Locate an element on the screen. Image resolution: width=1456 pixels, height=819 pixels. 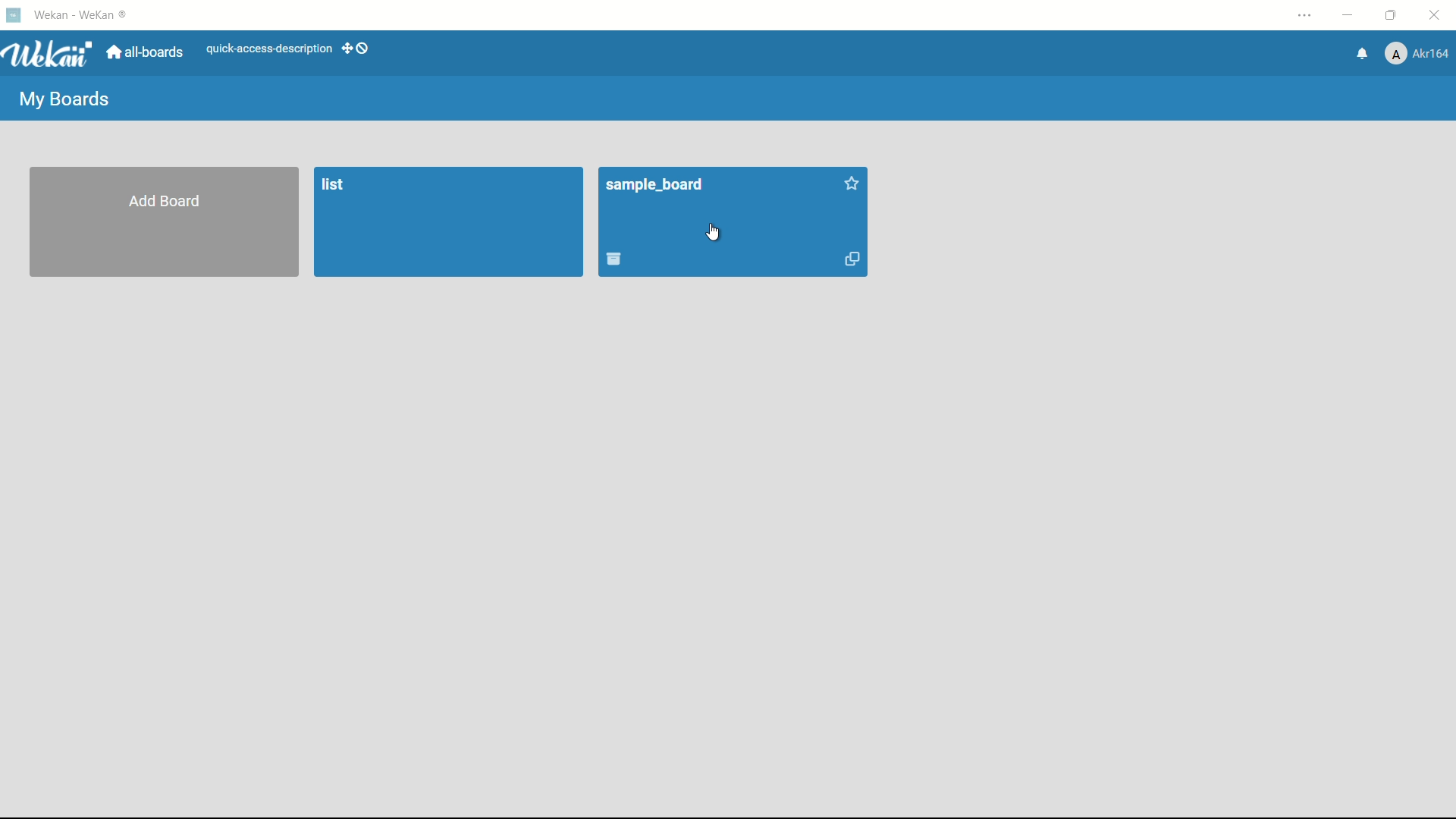
app icon is located at coordinates (13, 14).